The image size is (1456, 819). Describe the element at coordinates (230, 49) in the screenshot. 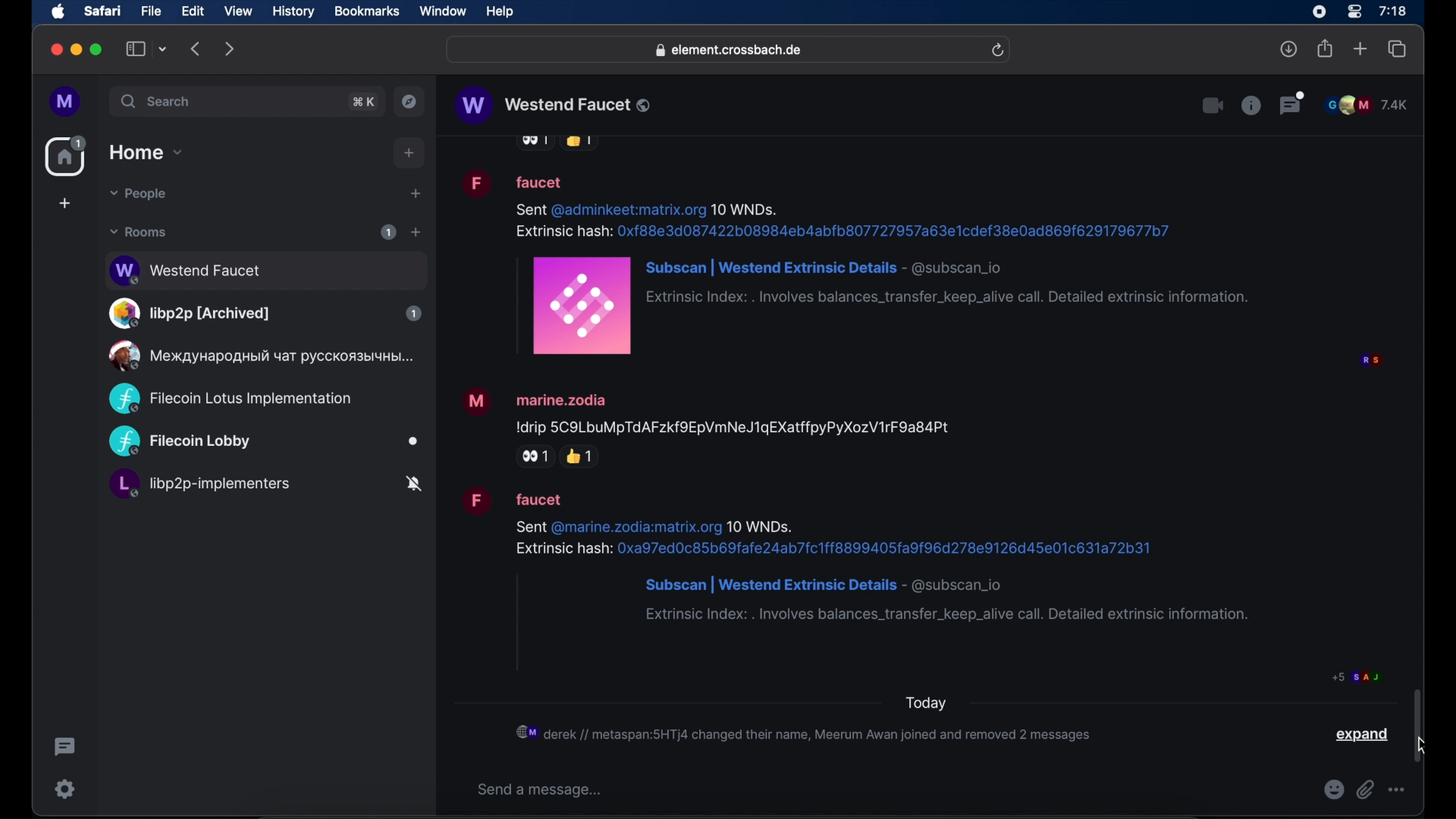

I see `forward` at that location.